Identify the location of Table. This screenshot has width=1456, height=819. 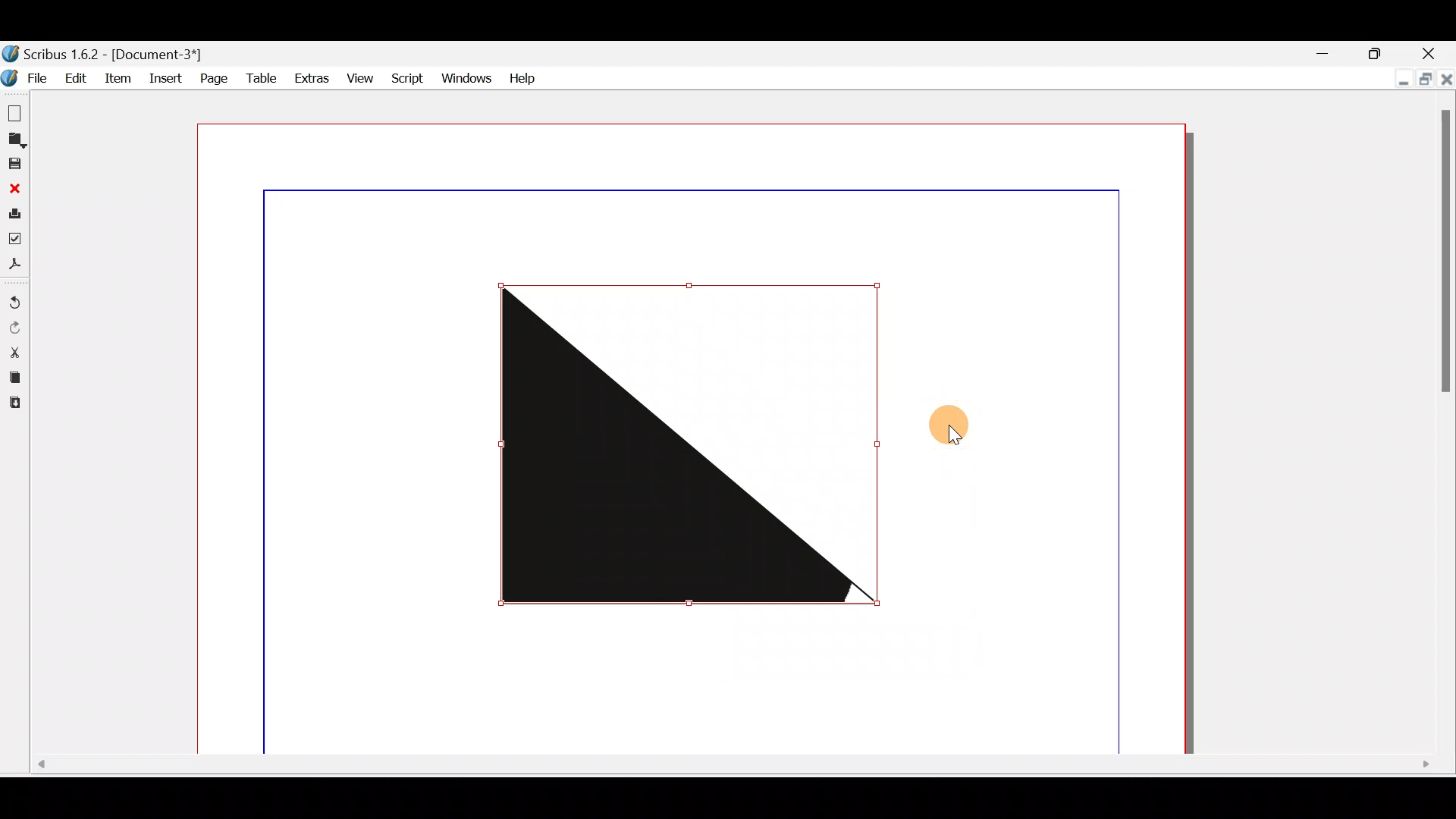
(259, 77).